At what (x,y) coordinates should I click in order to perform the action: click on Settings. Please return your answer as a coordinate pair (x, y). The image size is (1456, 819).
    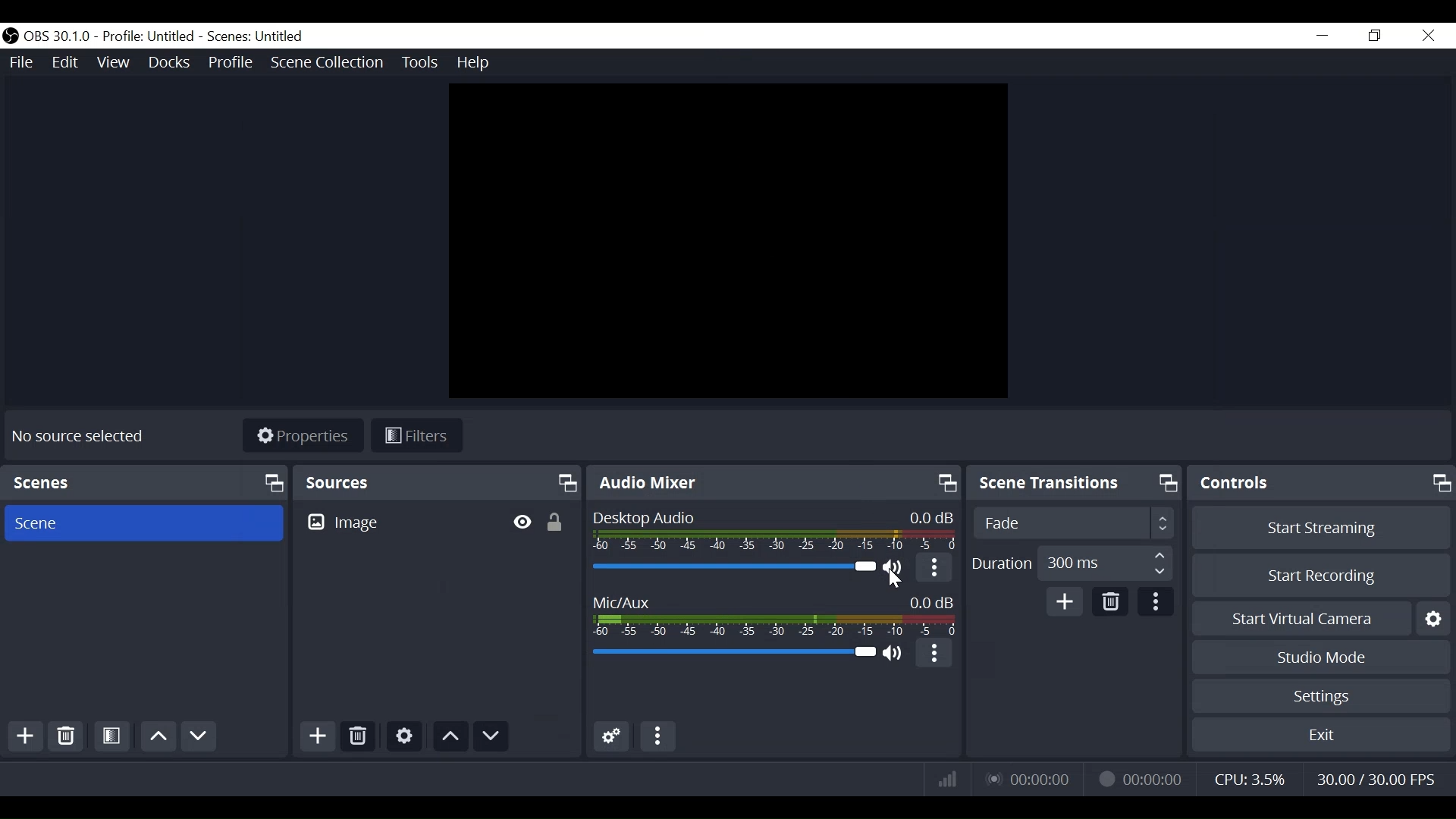
    Looking at the image, I should click on (1319, 695).